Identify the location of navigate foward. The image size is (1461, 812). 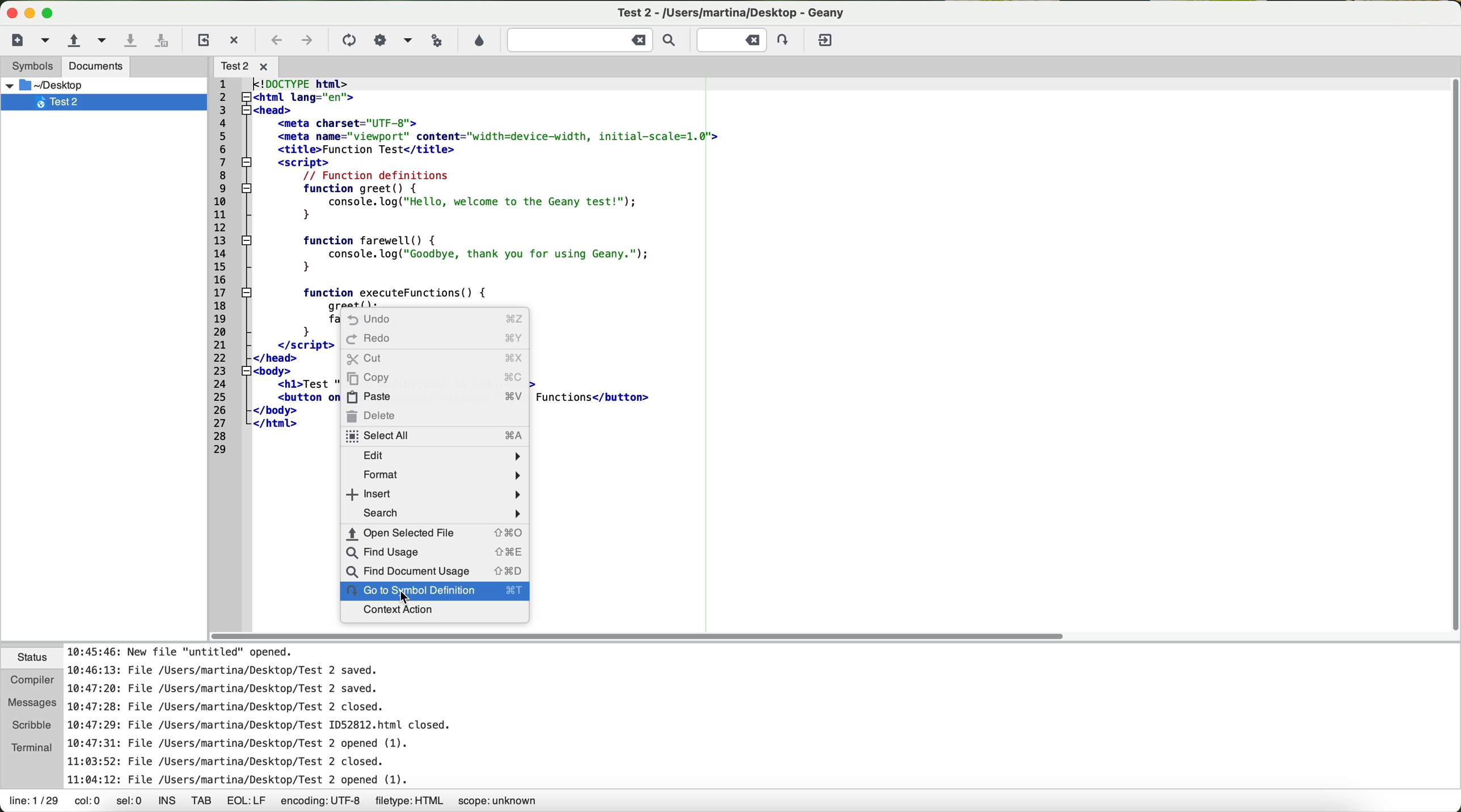
(307, 42).